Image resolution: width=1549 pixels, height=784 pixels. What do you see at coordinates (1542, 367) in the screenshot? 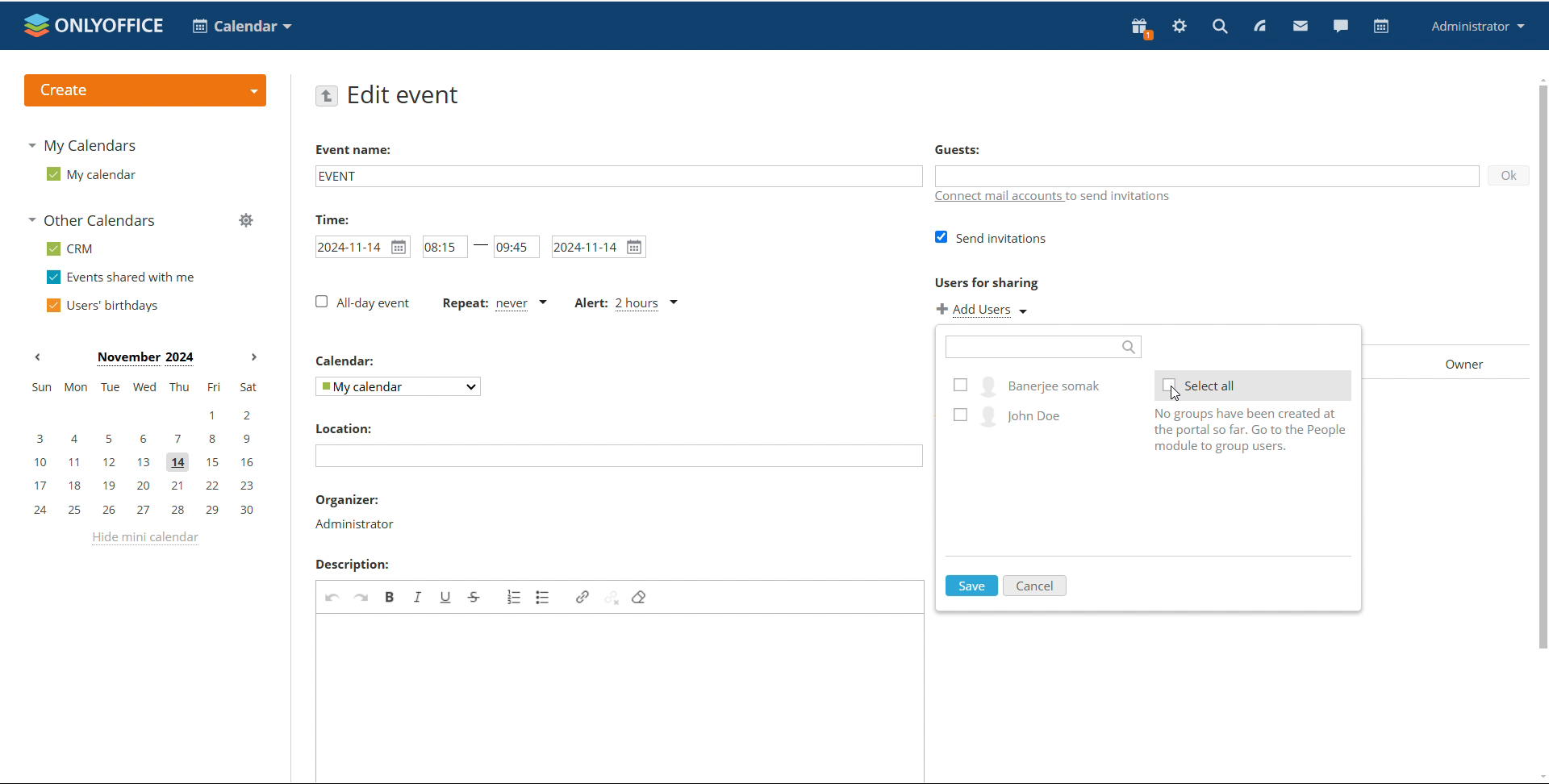
I see `scrollbar` at bounding box center [1542, 367].